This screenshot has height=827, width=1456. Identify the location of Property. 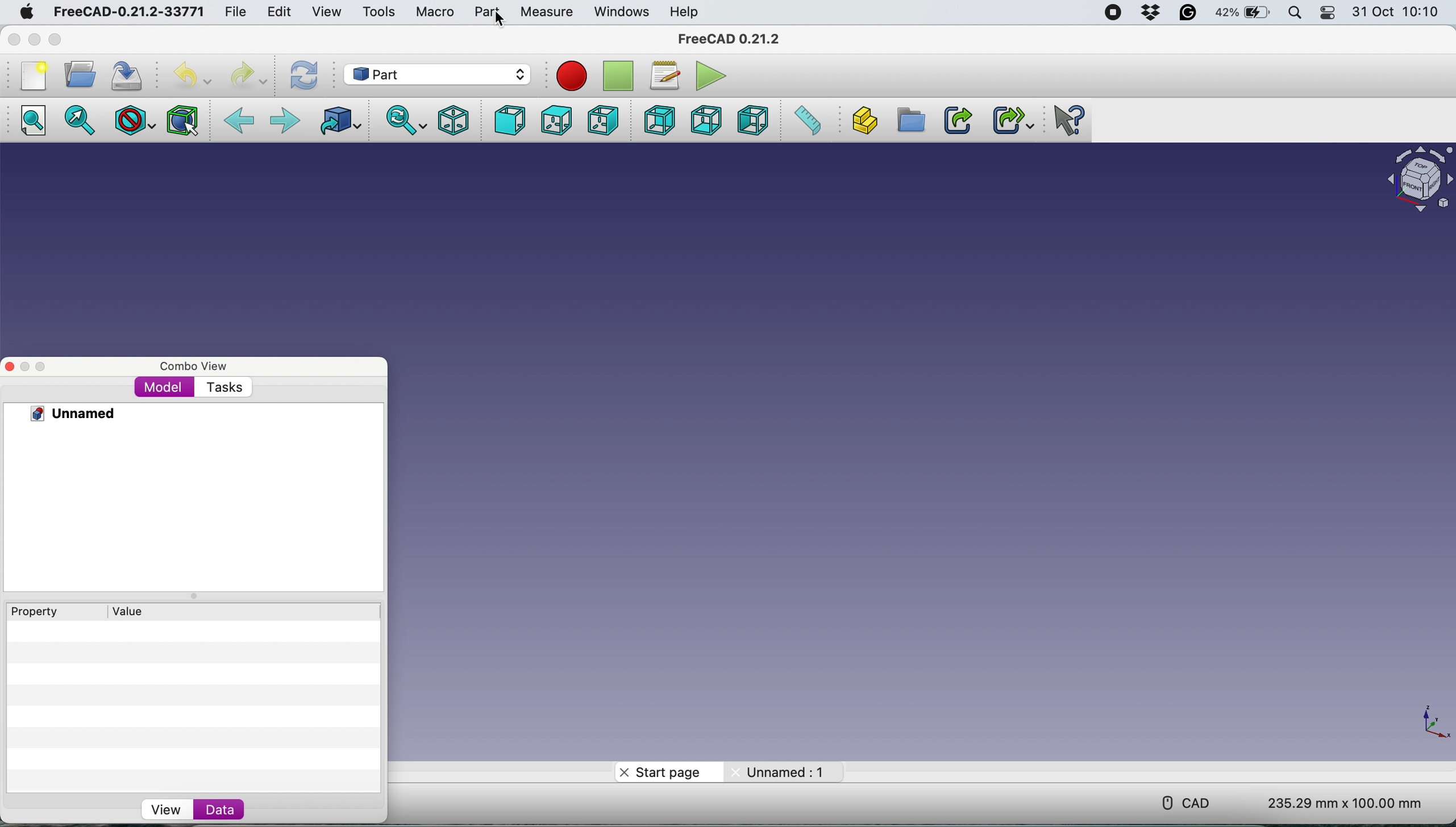
(34, 611).